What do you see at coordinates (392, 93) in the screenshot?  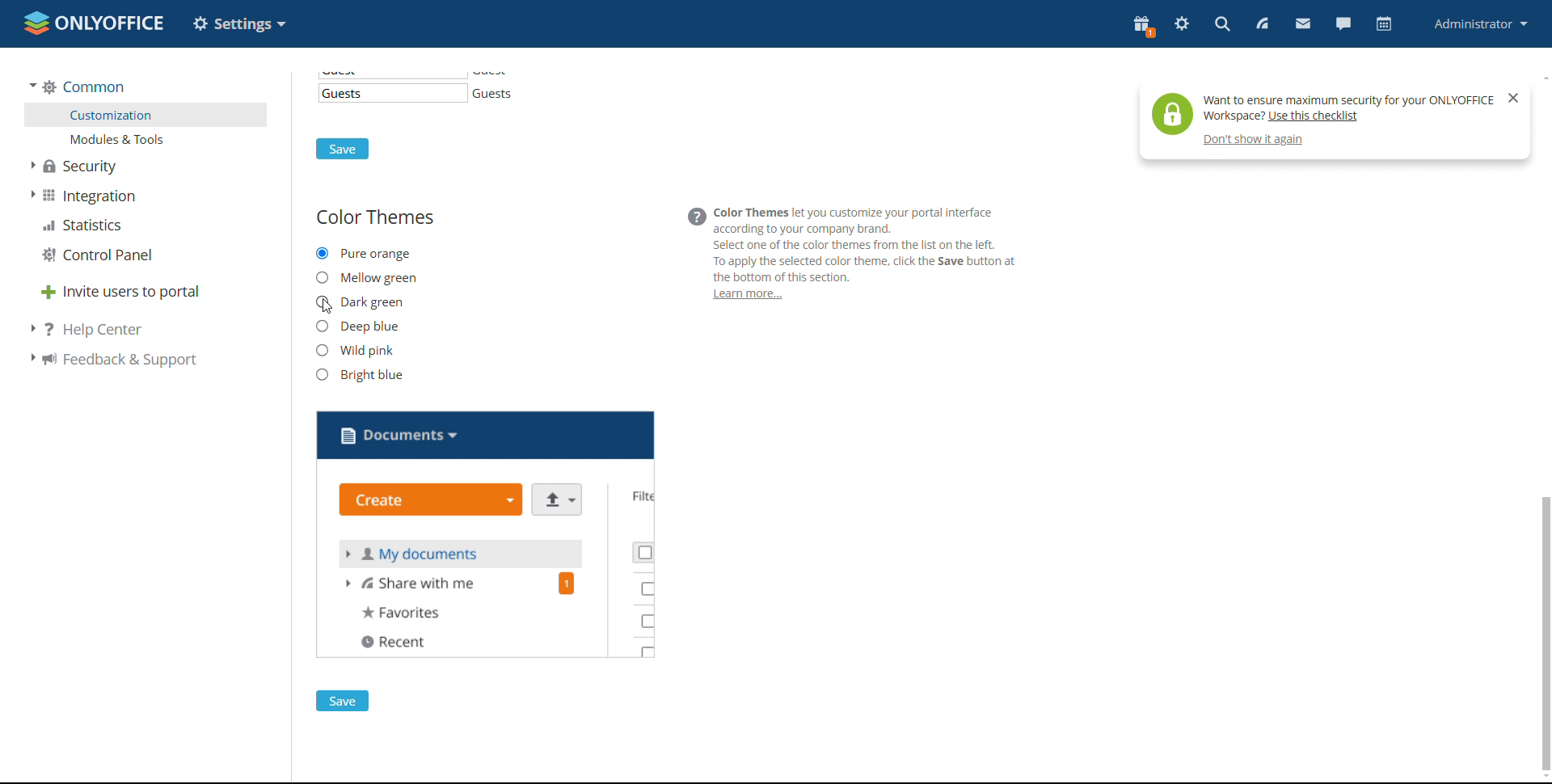 I see `template for guest` at bounding box center [392, 93].